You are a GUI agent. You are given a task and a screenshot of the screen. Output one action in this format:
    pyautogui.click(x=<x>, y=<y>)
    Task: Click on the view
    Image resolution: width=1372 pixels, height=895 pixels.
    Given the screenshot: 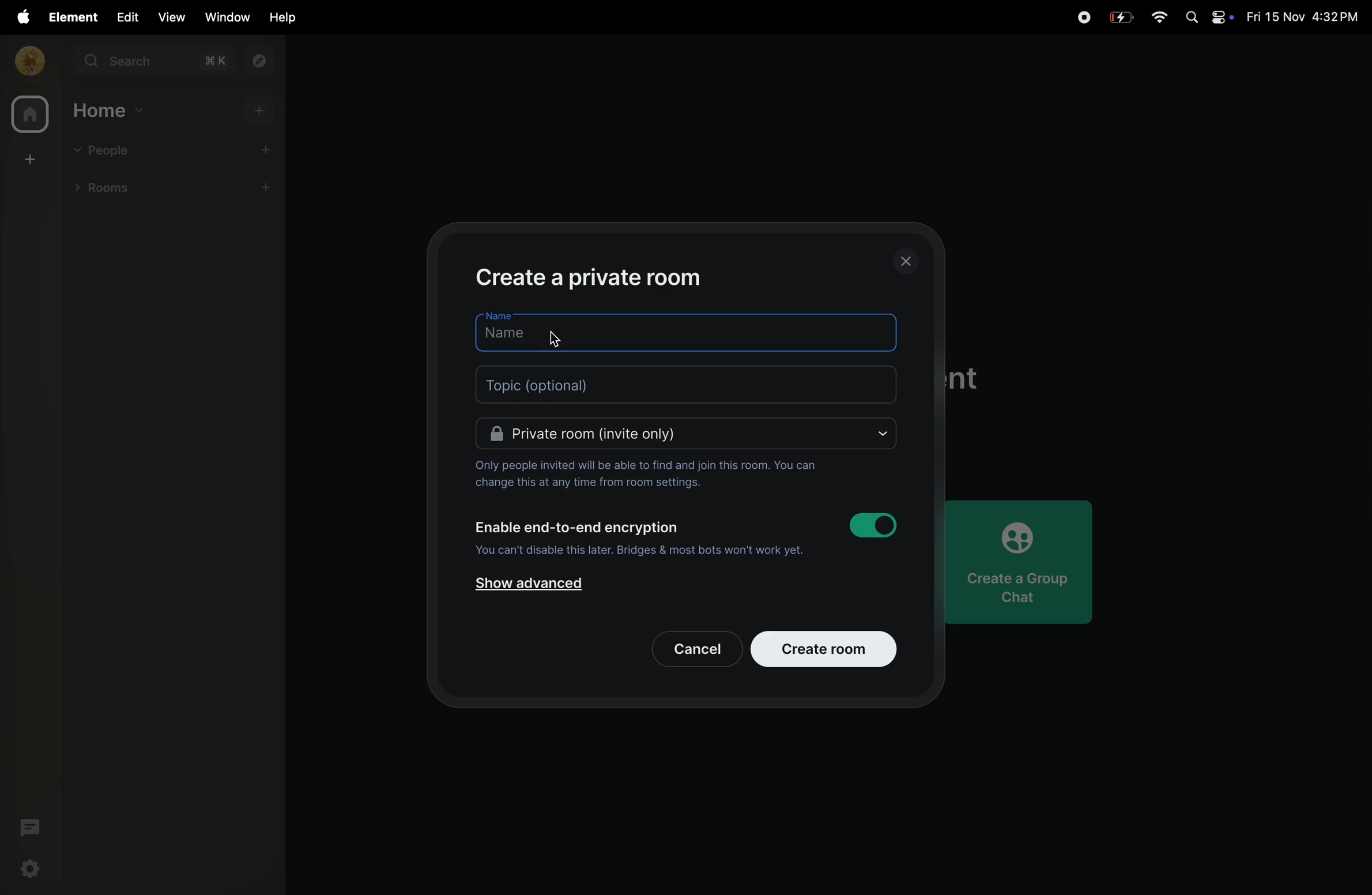 What is the action you would take?
    pyautogui.click(x=171, y=17)
    